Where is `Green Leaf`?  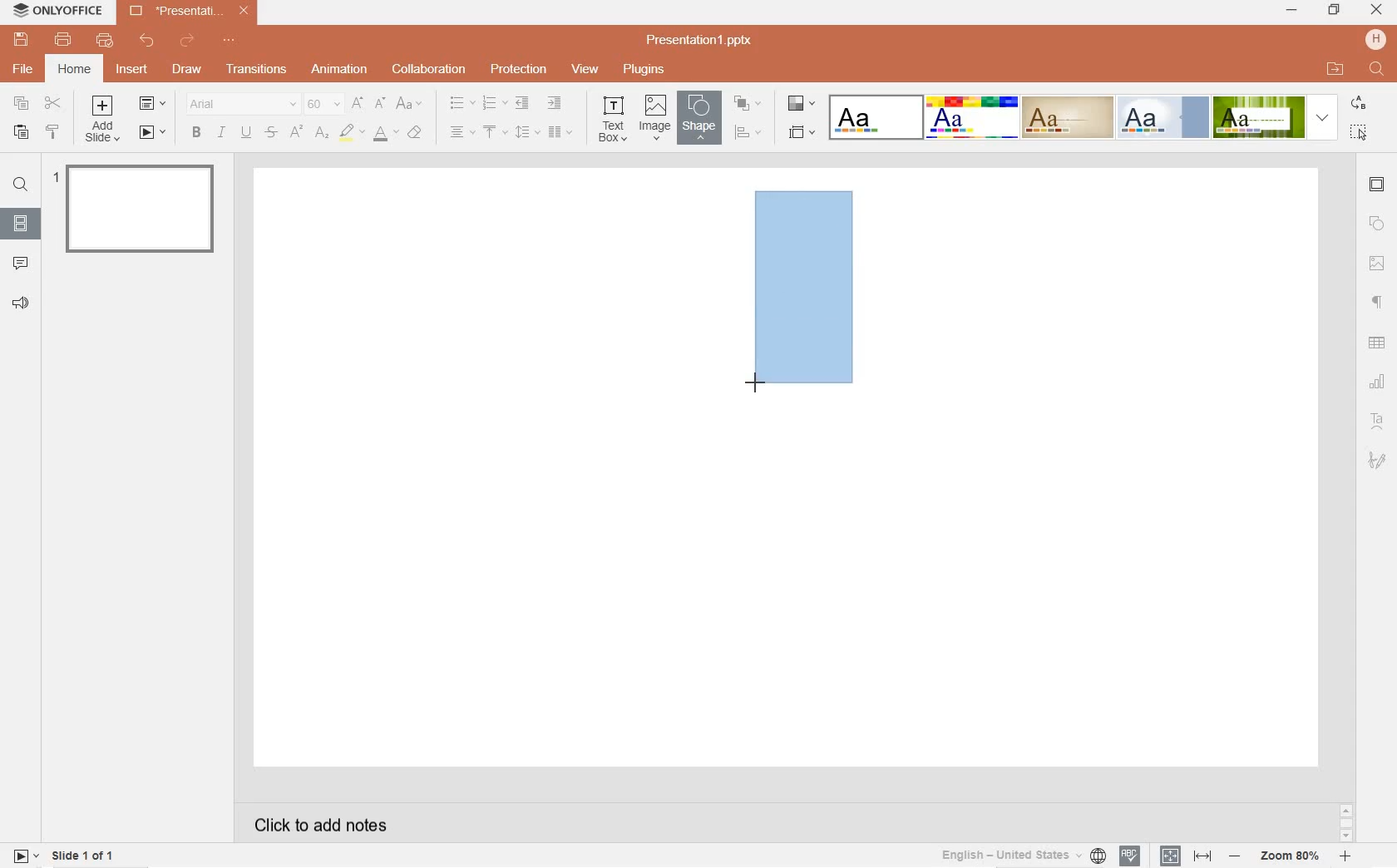
Green Leaf is located at coordinates (1258, 116).